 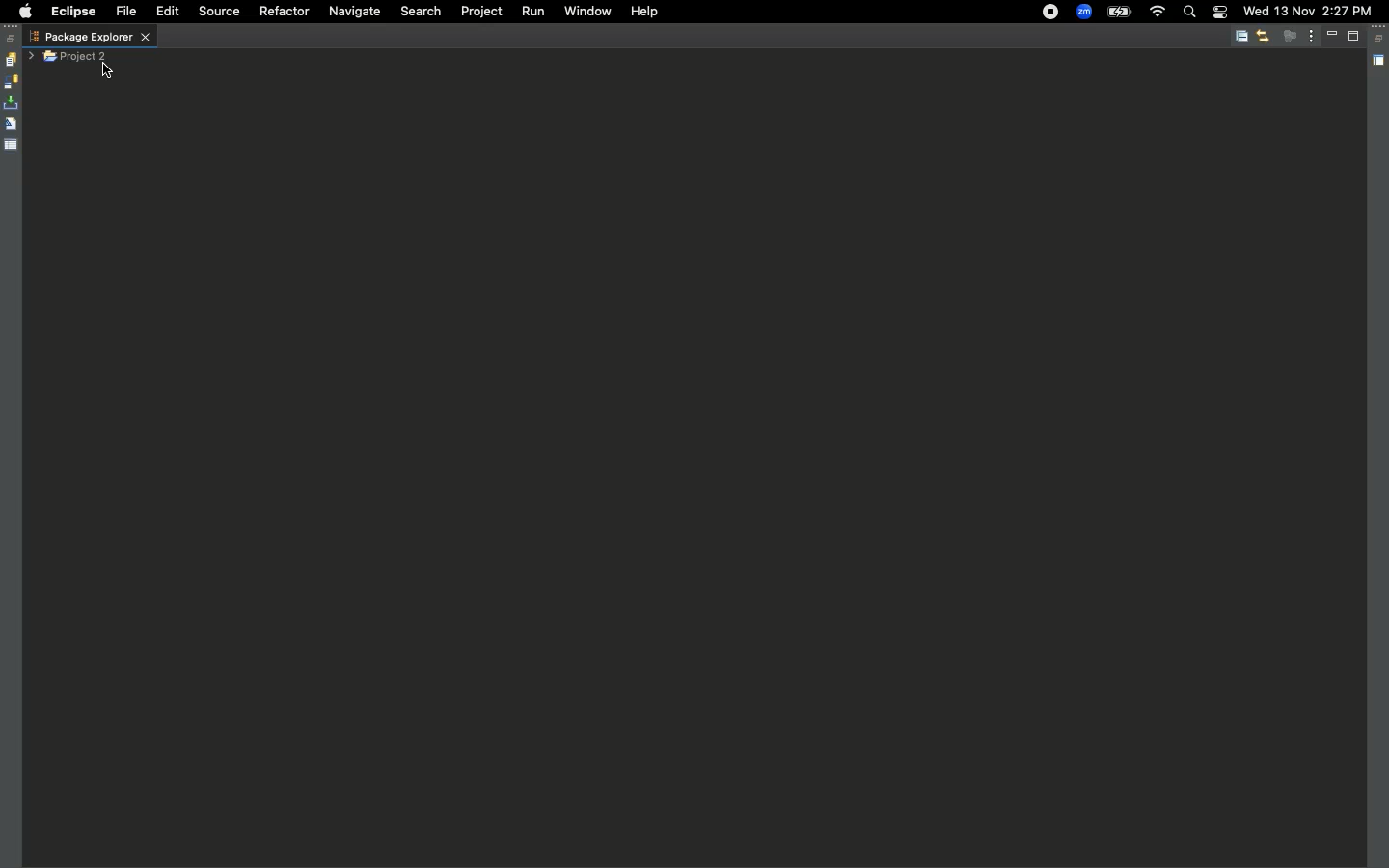 What do you see at coordinates (586, 10) in the screenshot?
I see `Window` at bounding box center [586, 10].